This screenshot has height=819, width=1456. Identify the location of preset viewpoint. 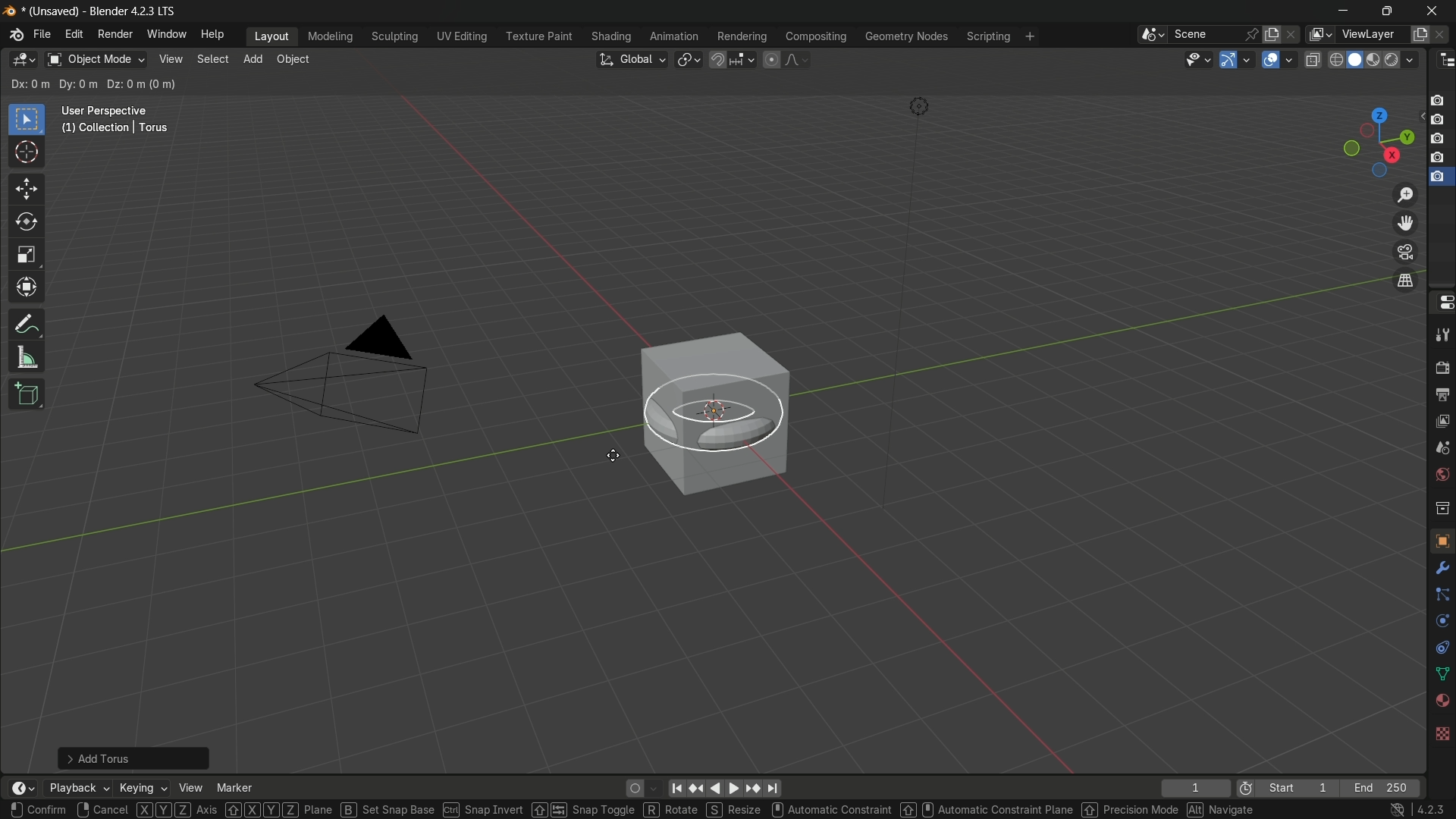
(1378, 143).